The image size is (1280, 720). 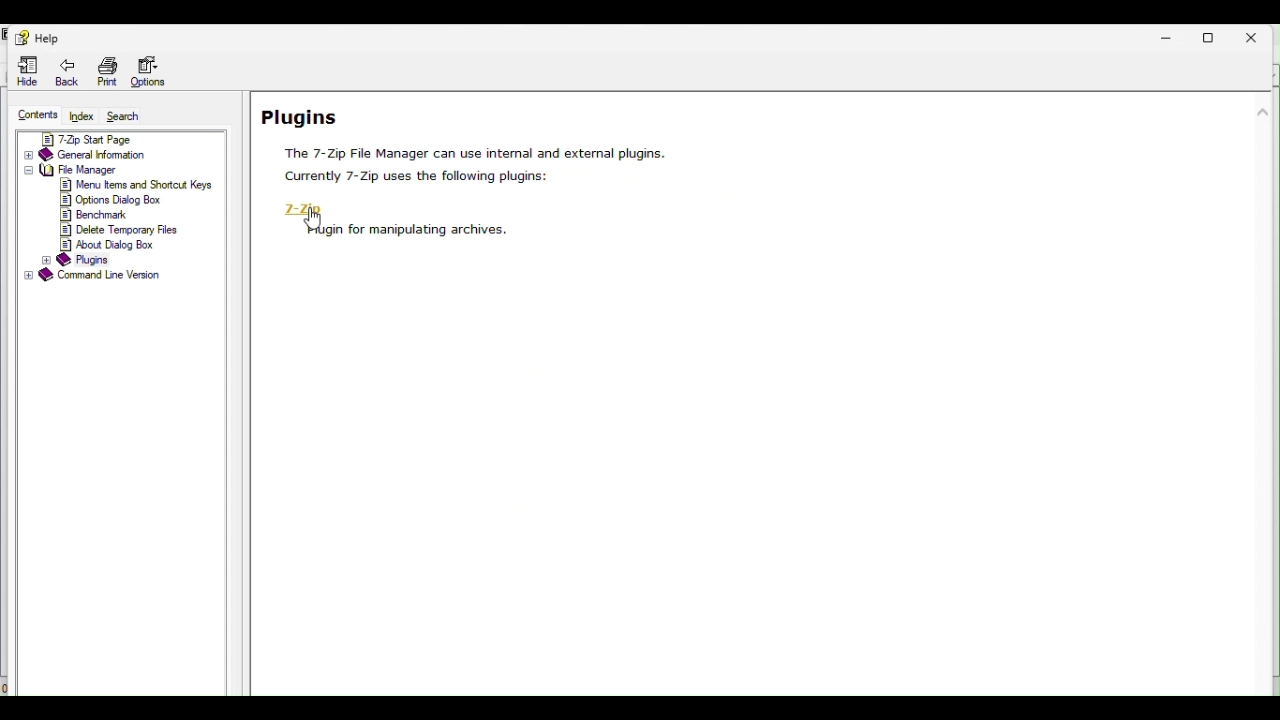 I want to click on Content, so click(x=32, y=114).